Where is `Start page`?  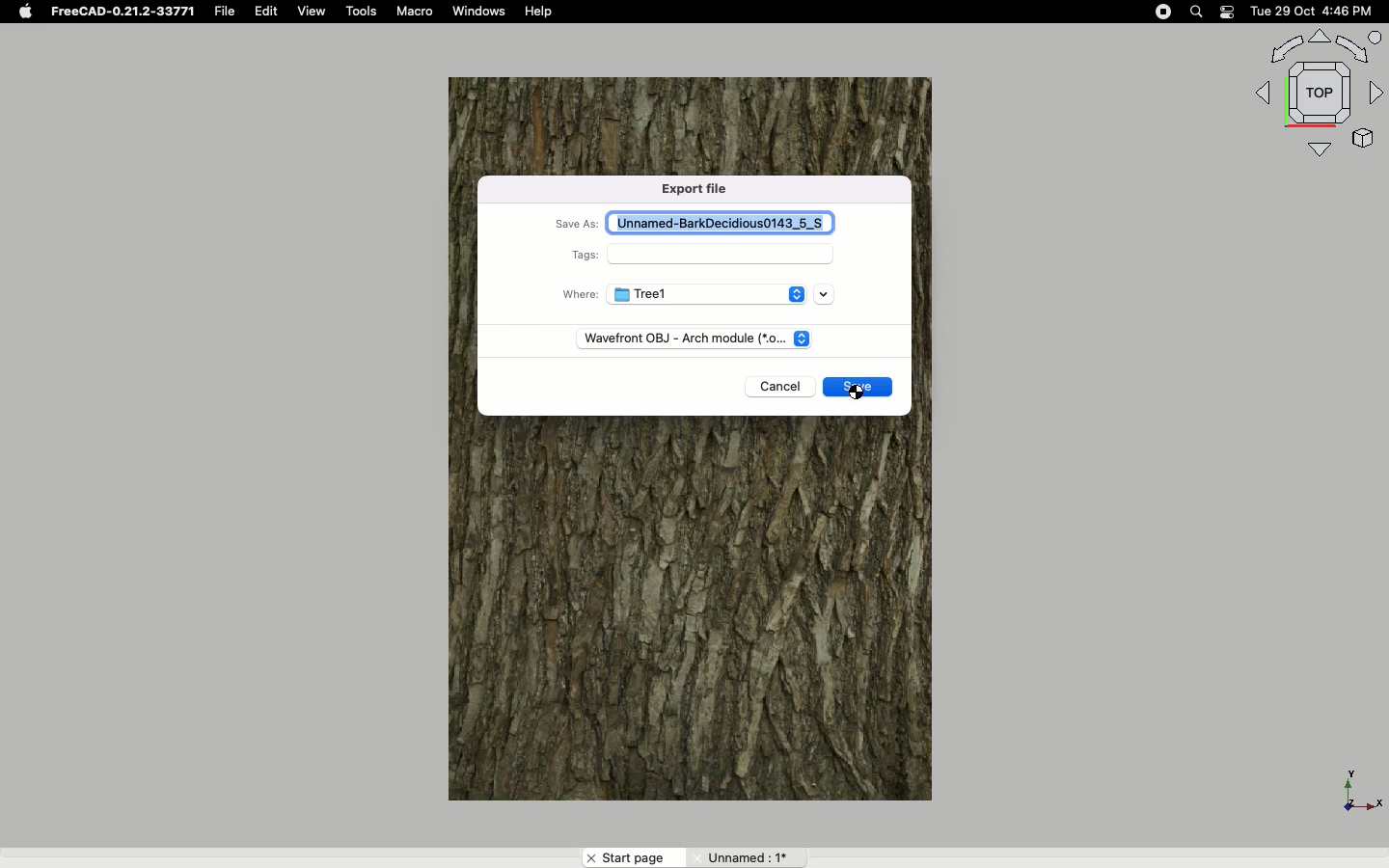
Start page is located at coordinates (633, 857).